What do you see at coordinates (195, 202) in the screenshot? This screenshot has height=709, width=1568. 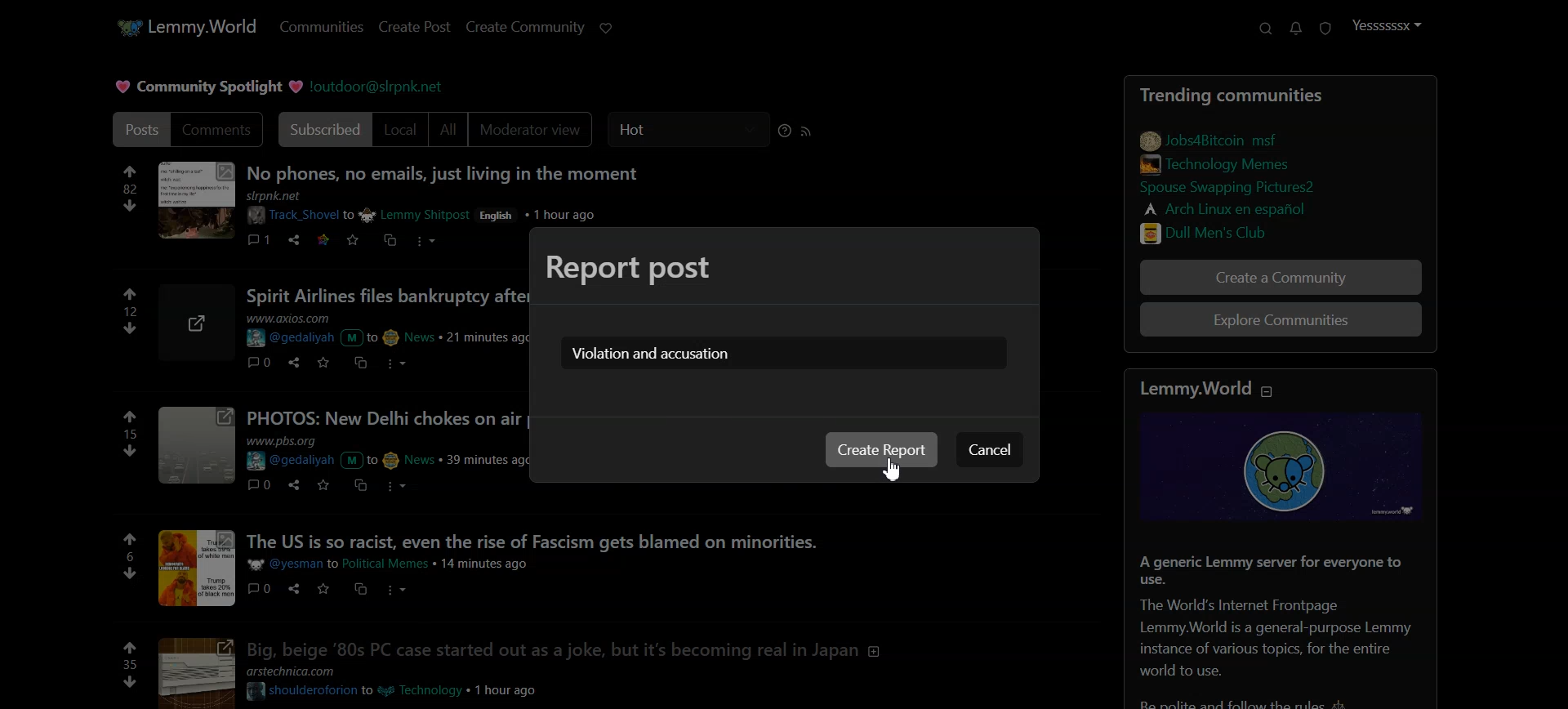 I see `image` at bounding box center [195, 202].